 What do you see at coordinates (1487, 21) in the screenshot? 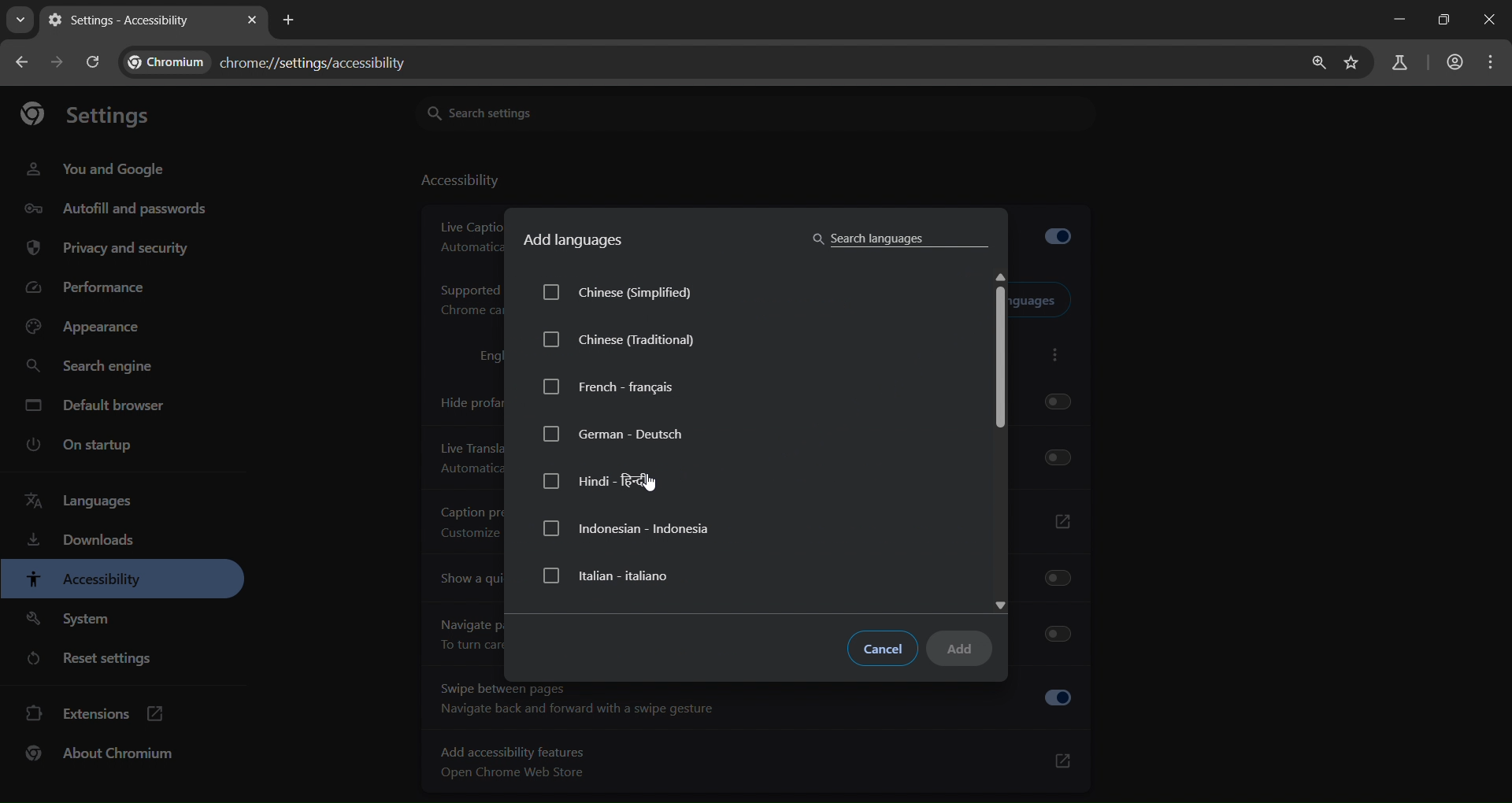
I see `close` at bounding box center [1487, 21].